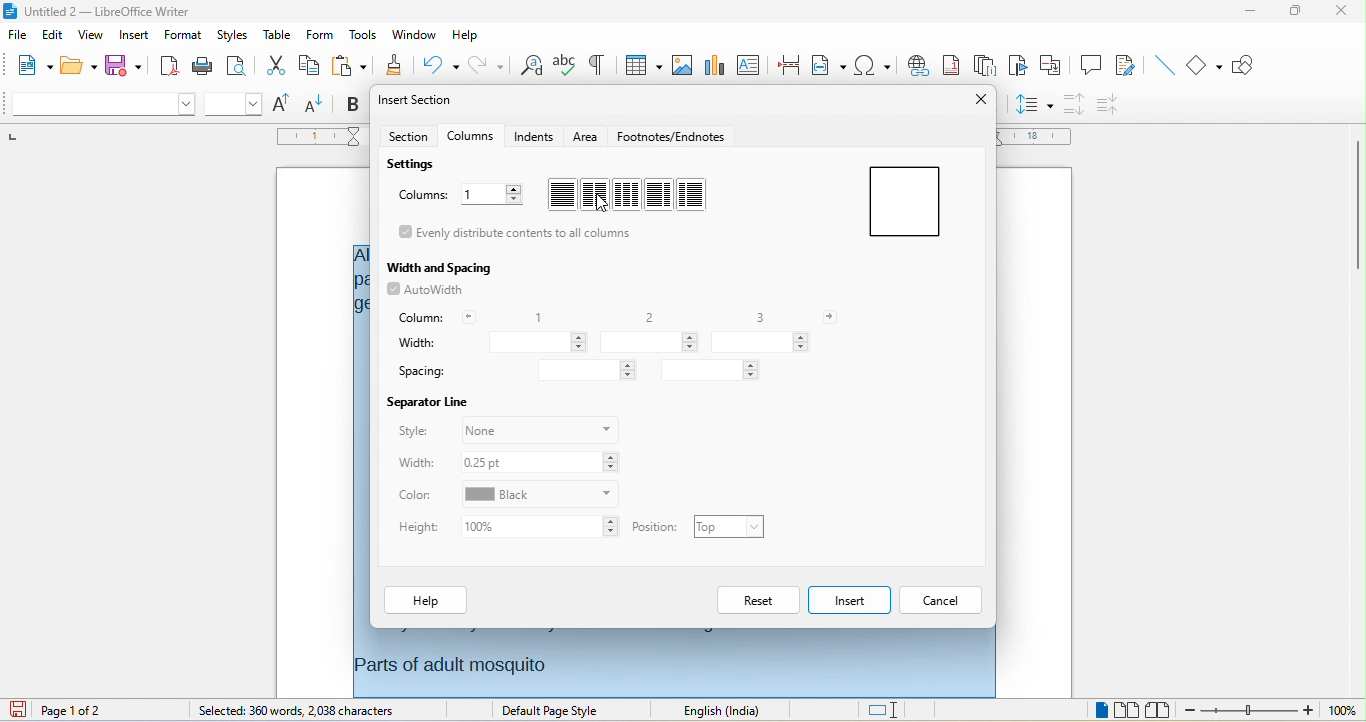 The image size is (1366, 722). Describe the element at coordinates (537, 342) in the screenshot. I see `column 1 width` at that location.